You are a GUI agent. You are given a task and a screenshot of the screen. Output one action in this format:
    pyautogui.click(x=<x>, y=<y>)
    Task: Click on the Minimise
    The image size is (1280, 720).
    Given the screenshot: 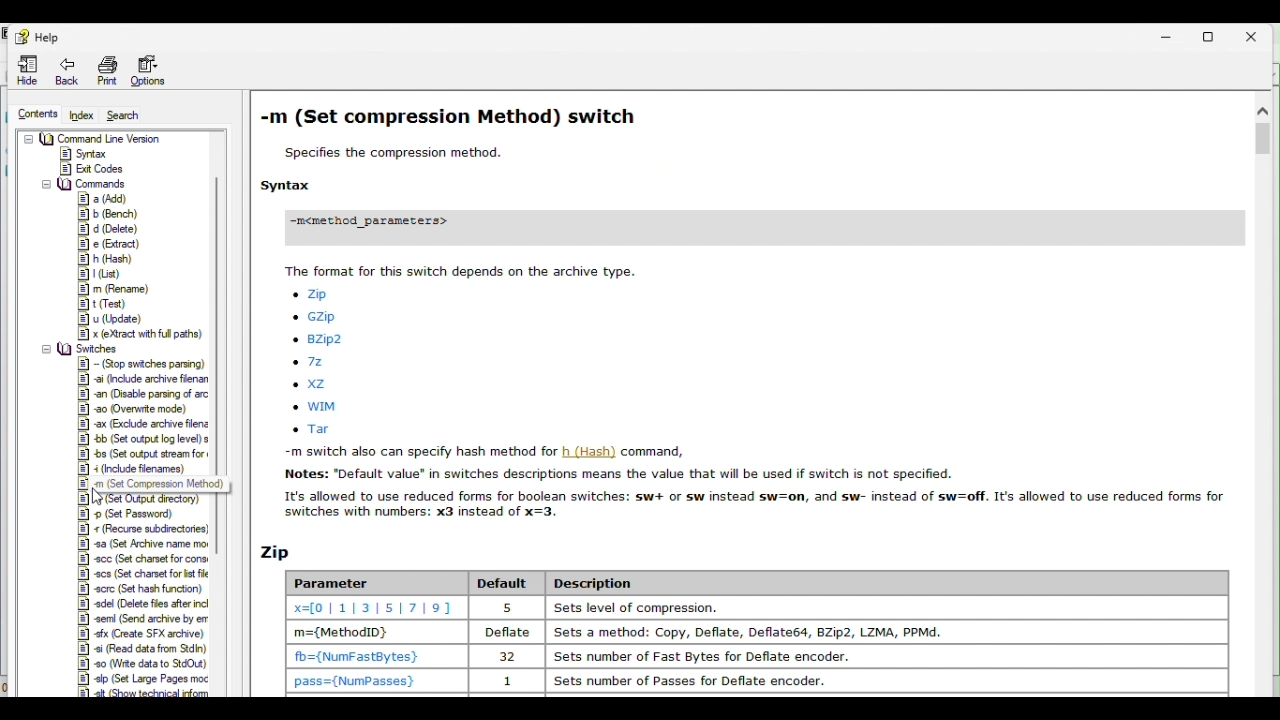 What is the action you would take?
    pyautogui.click(x=1169, y=34)
    